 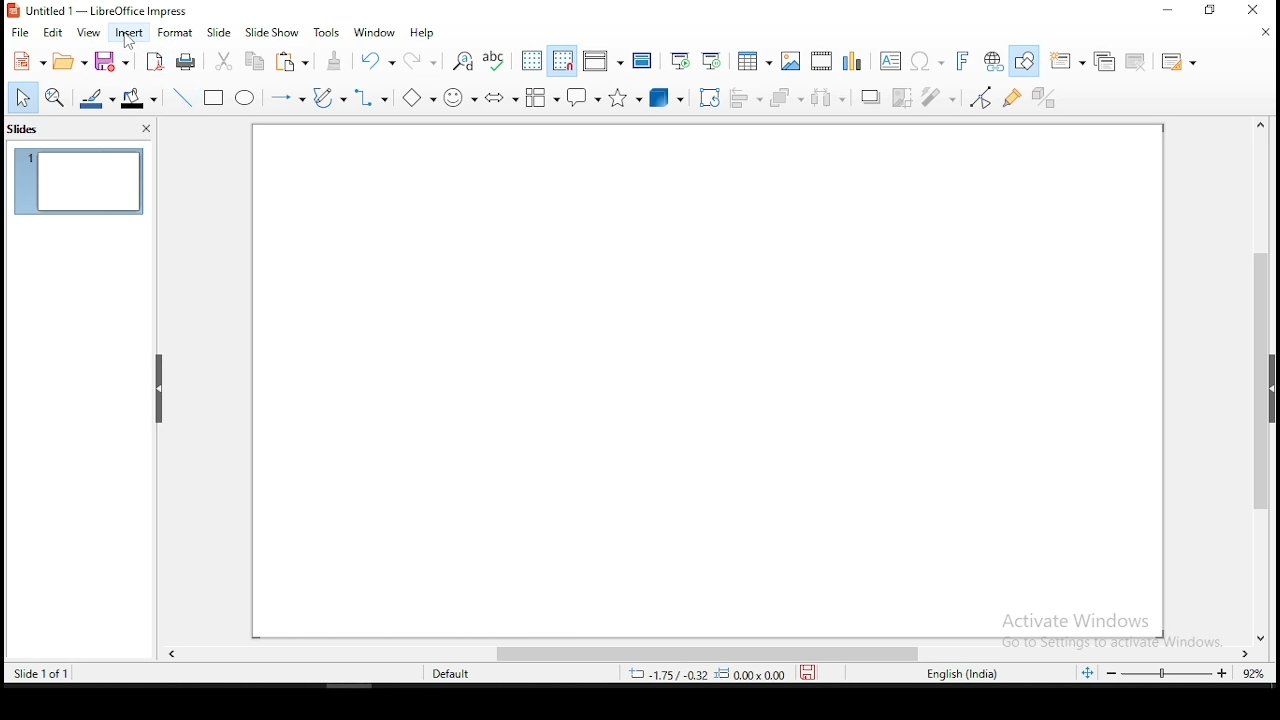 I want to click on -1.75/0.32 0.00x0.00, so click(x=705, y=674).